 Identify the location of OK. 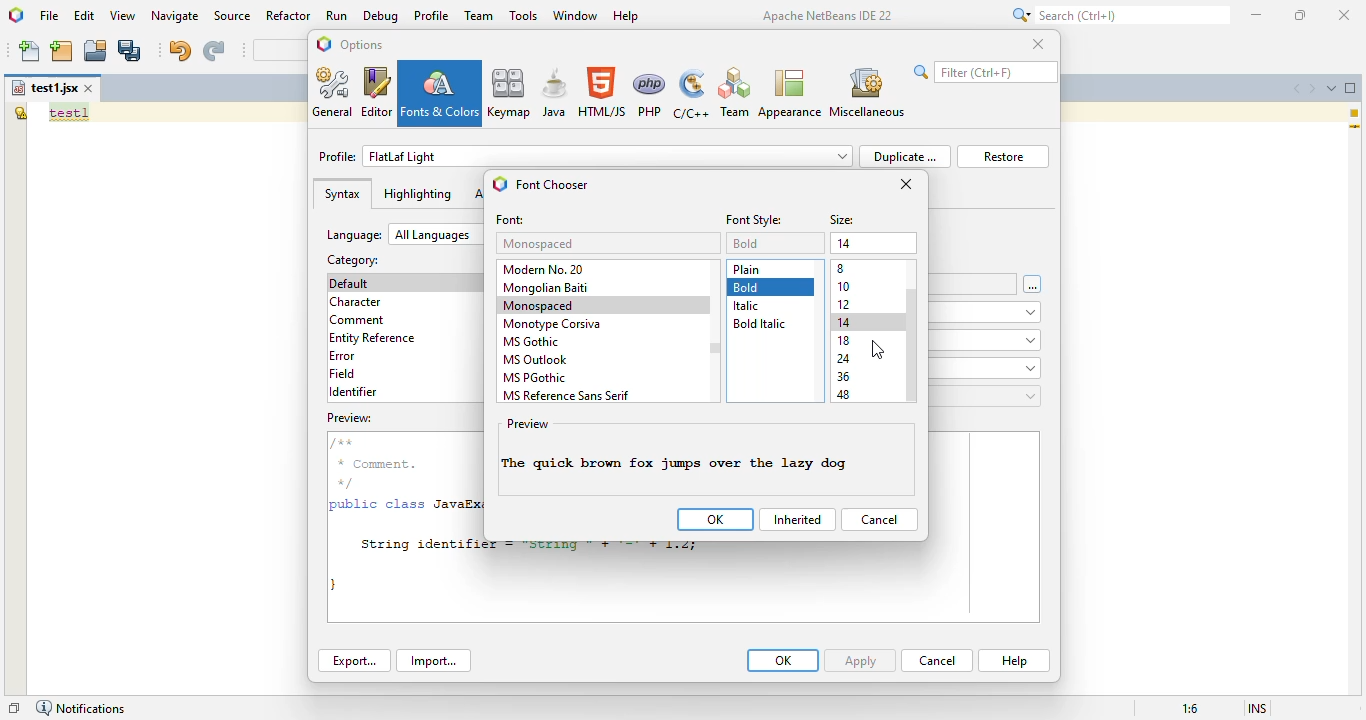
(783, 660).